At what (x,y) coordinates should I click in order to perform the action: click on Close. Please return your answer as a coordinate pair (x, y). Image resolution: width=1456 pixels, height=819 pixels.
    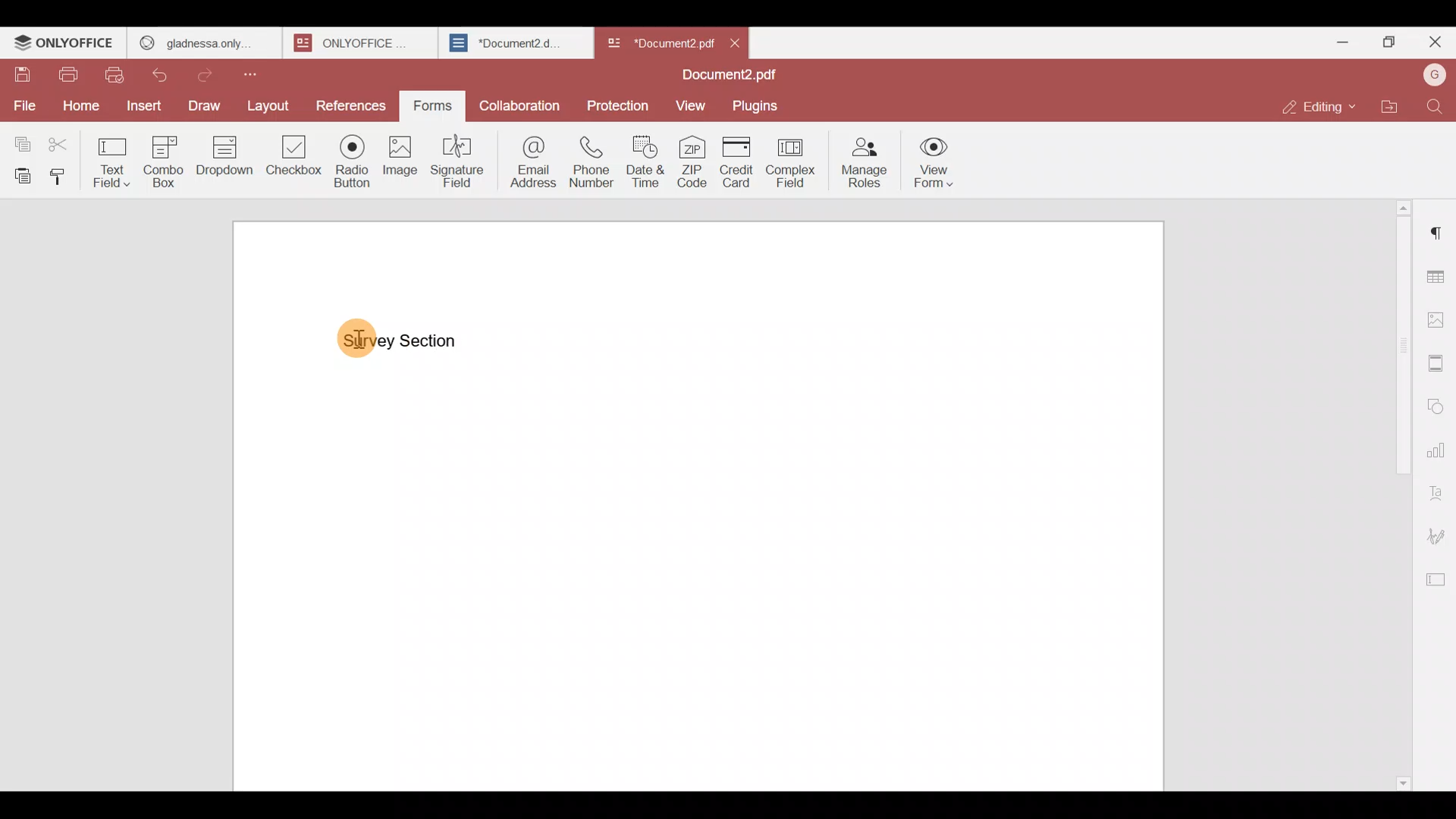
    Looking at the image, I should click on (1434, 45).